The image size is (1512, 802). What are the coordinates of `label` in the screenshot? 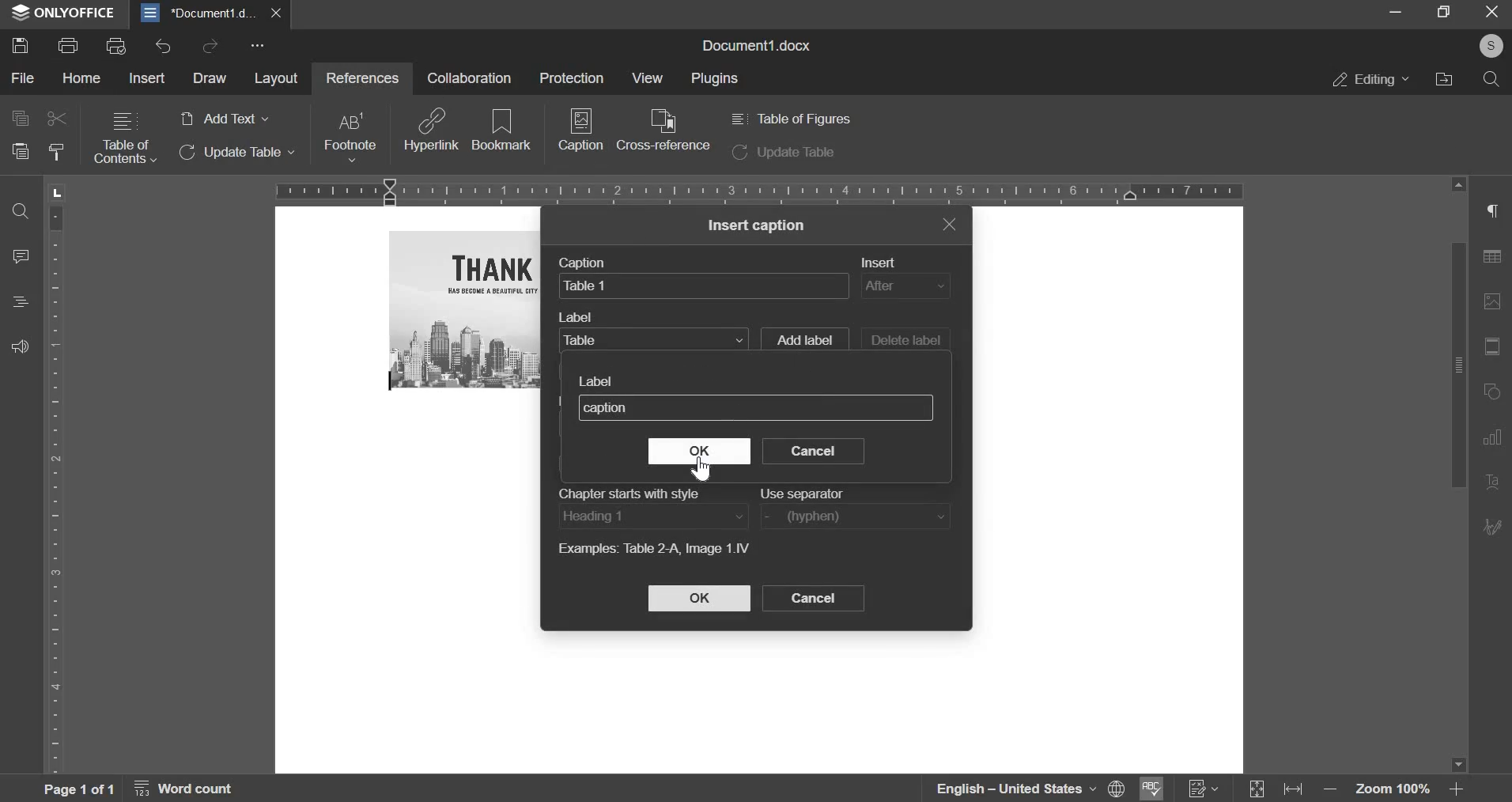 It's located at (756, 407).